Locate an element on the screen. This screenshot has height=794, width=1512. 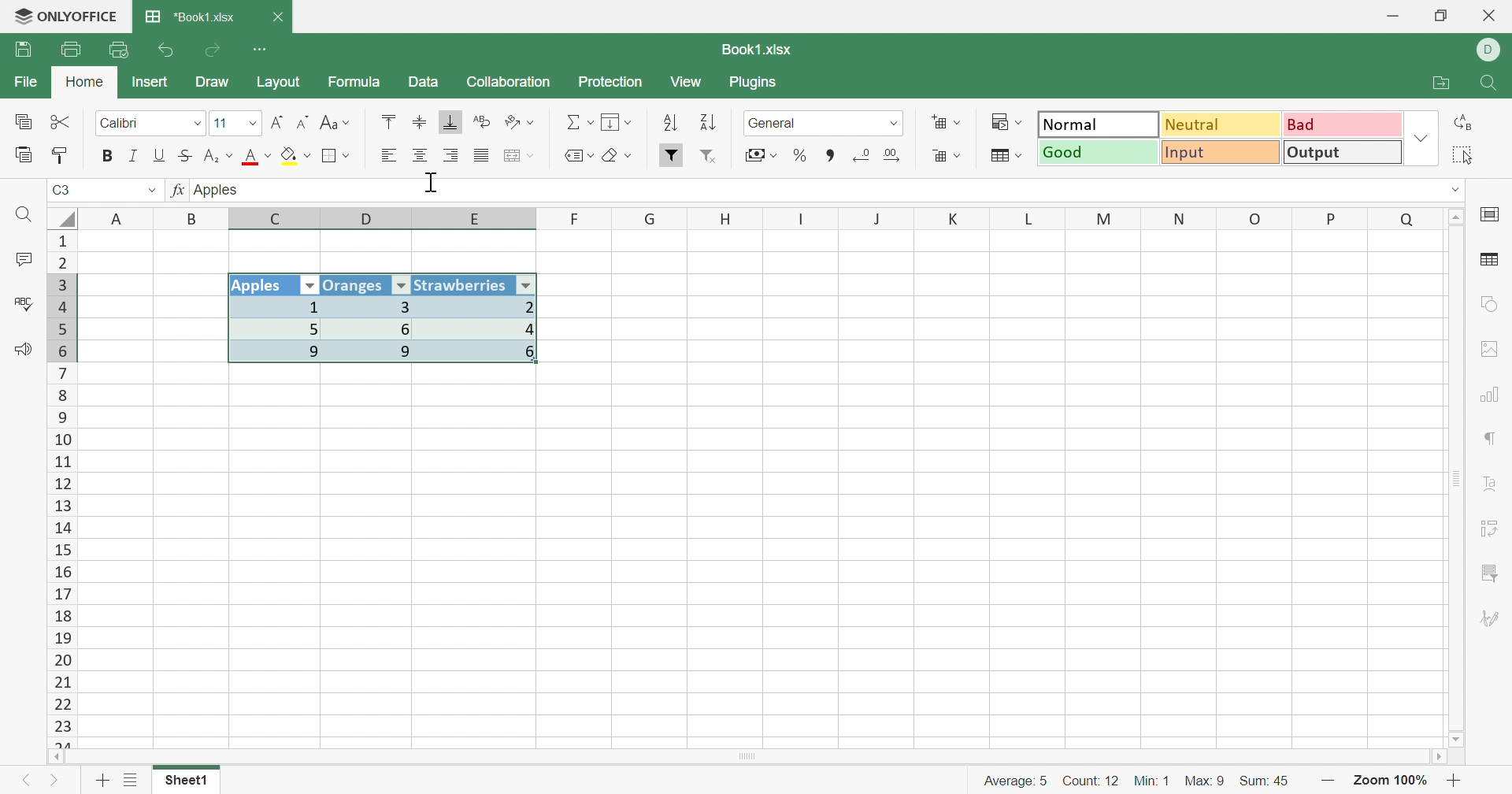
Drop Down is located at coordinates (195, 124).